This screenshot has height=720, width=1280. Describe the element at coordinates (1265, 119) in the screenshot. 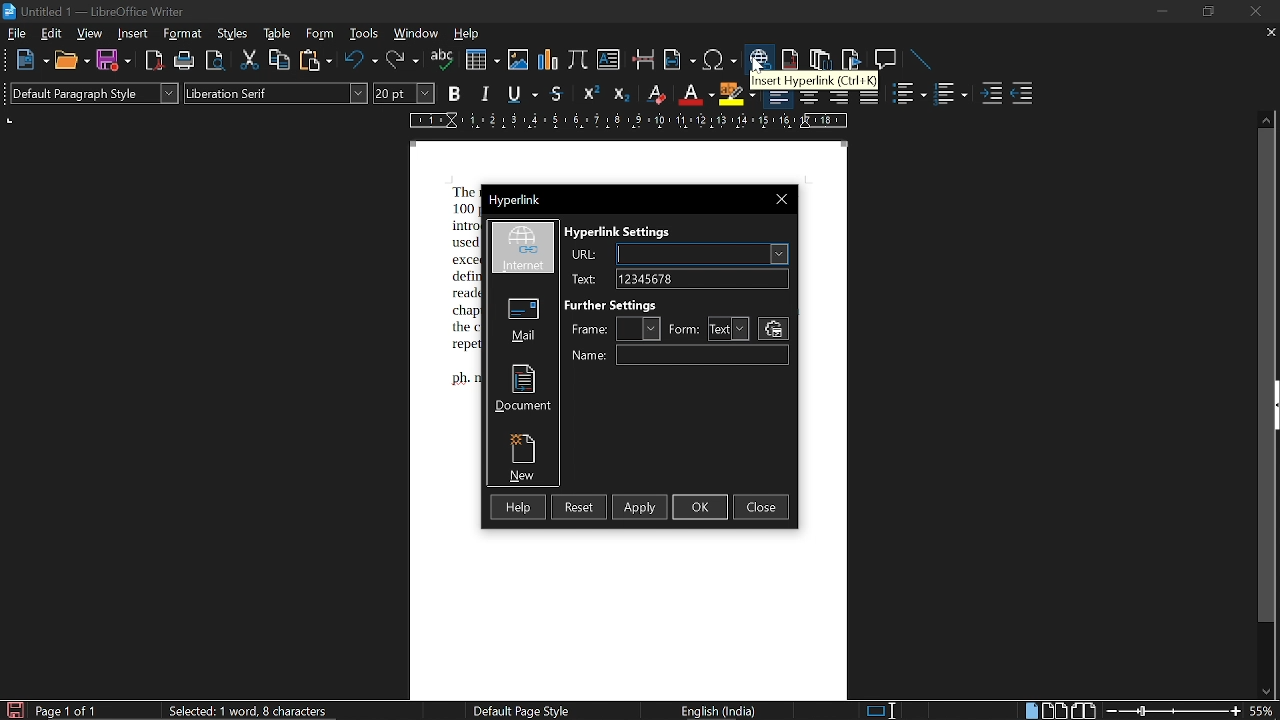

I see `move up` at that location.